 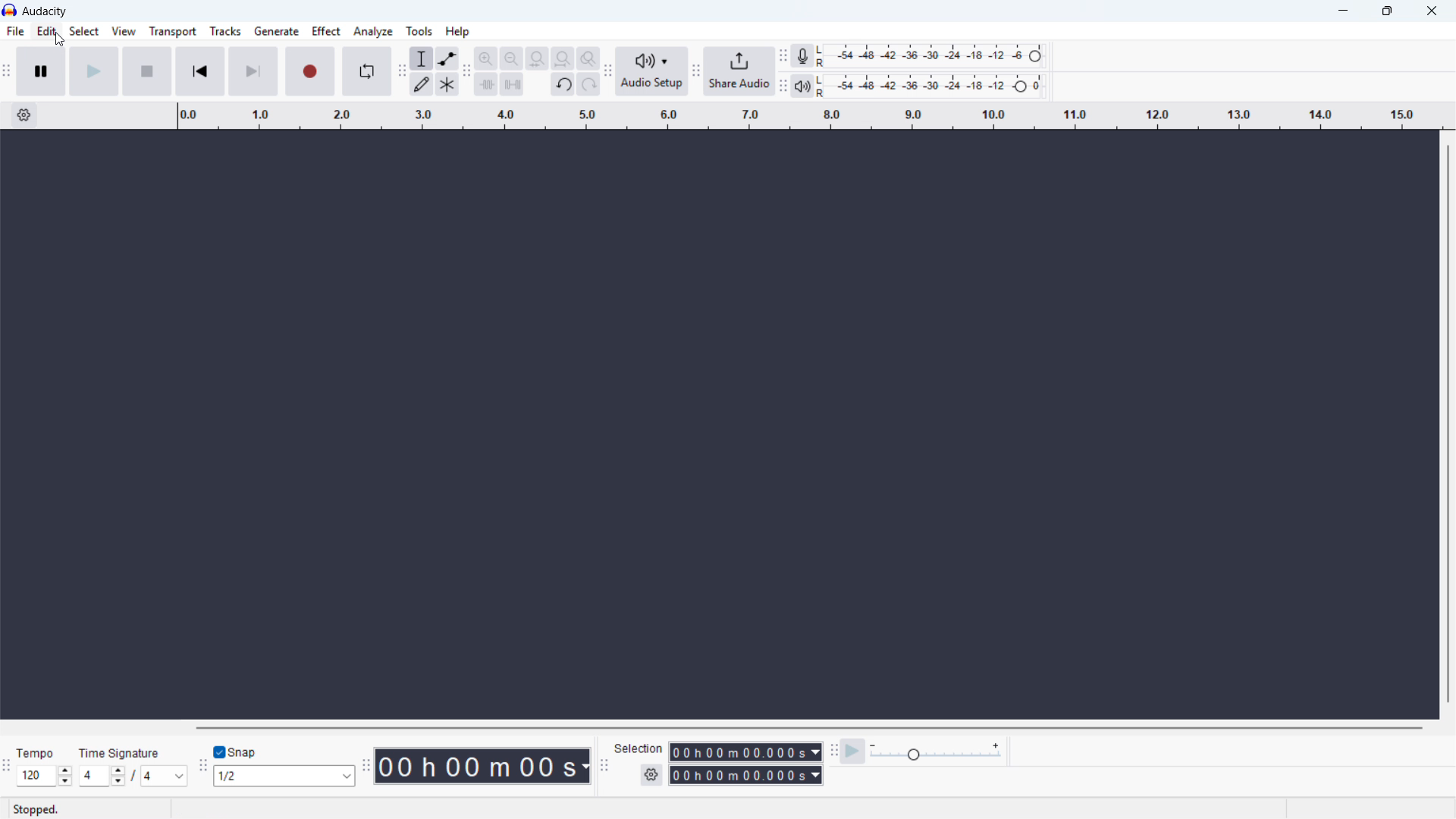 What do you see at coordinates (936, 752) in the screenshot?
I see `playback speed` at bounding box center [936, 752].